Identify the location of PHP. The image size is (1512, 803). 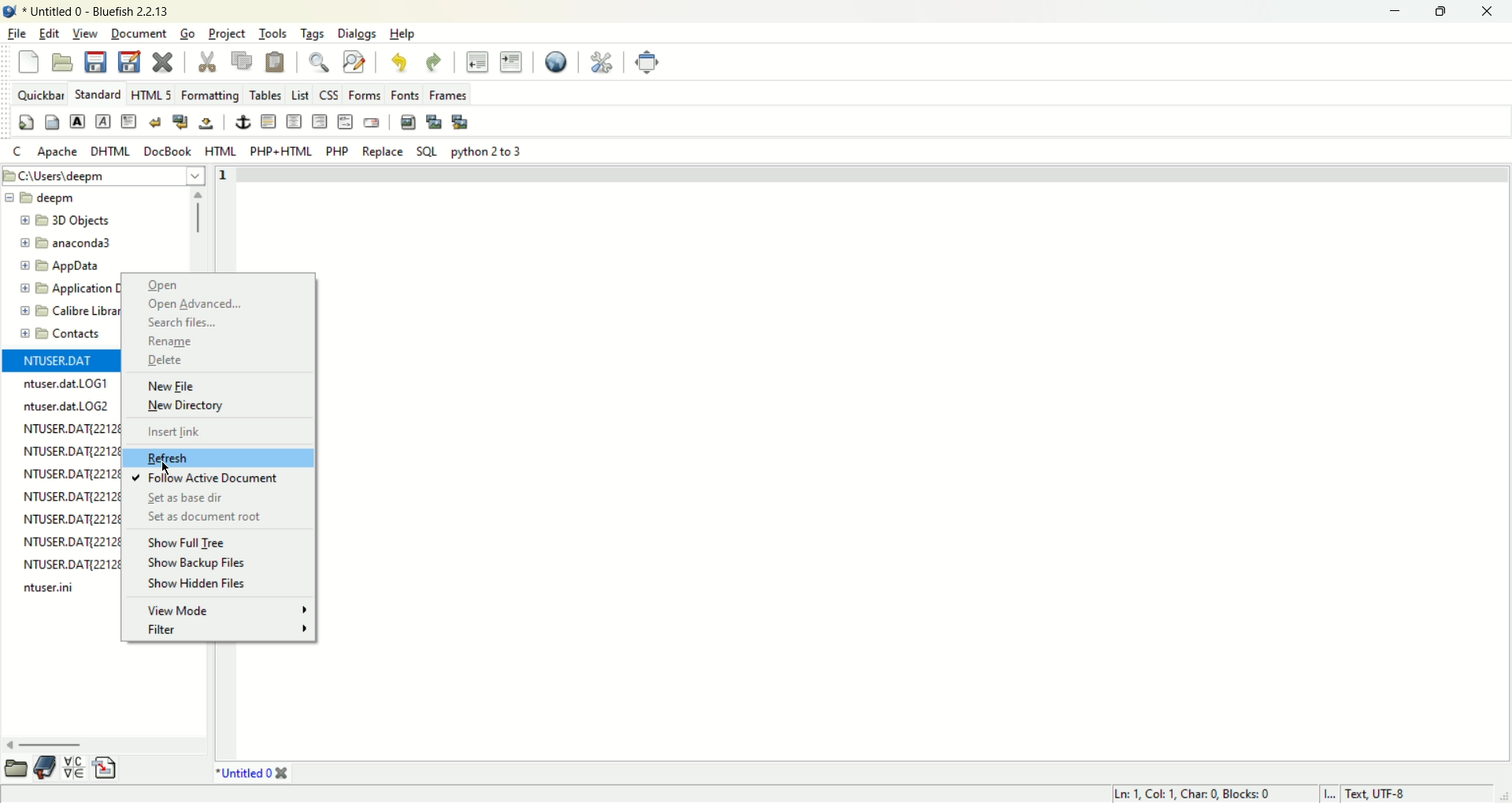
(335, 150).